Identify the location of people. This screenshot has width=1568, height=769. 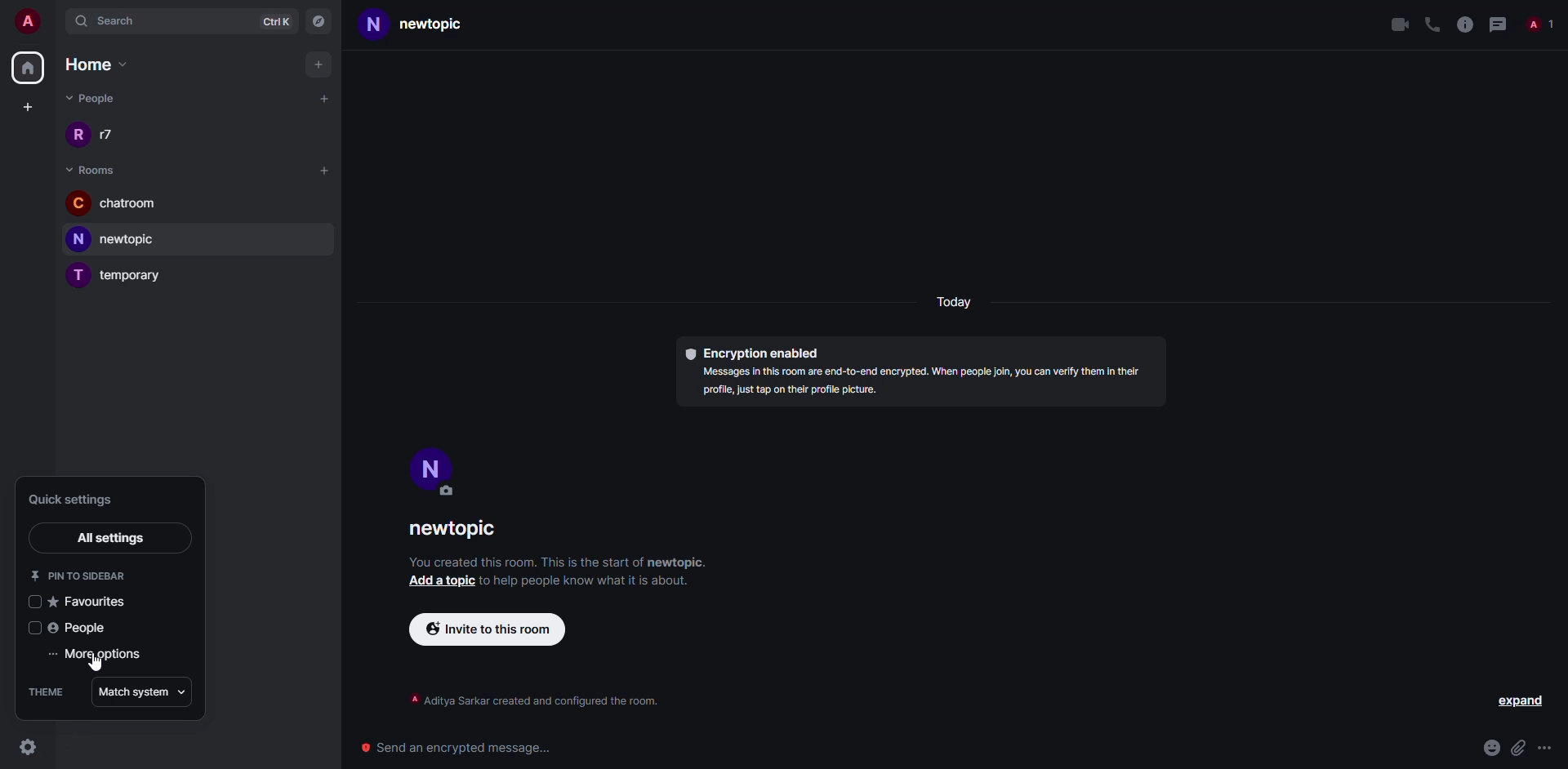
(100, 134).